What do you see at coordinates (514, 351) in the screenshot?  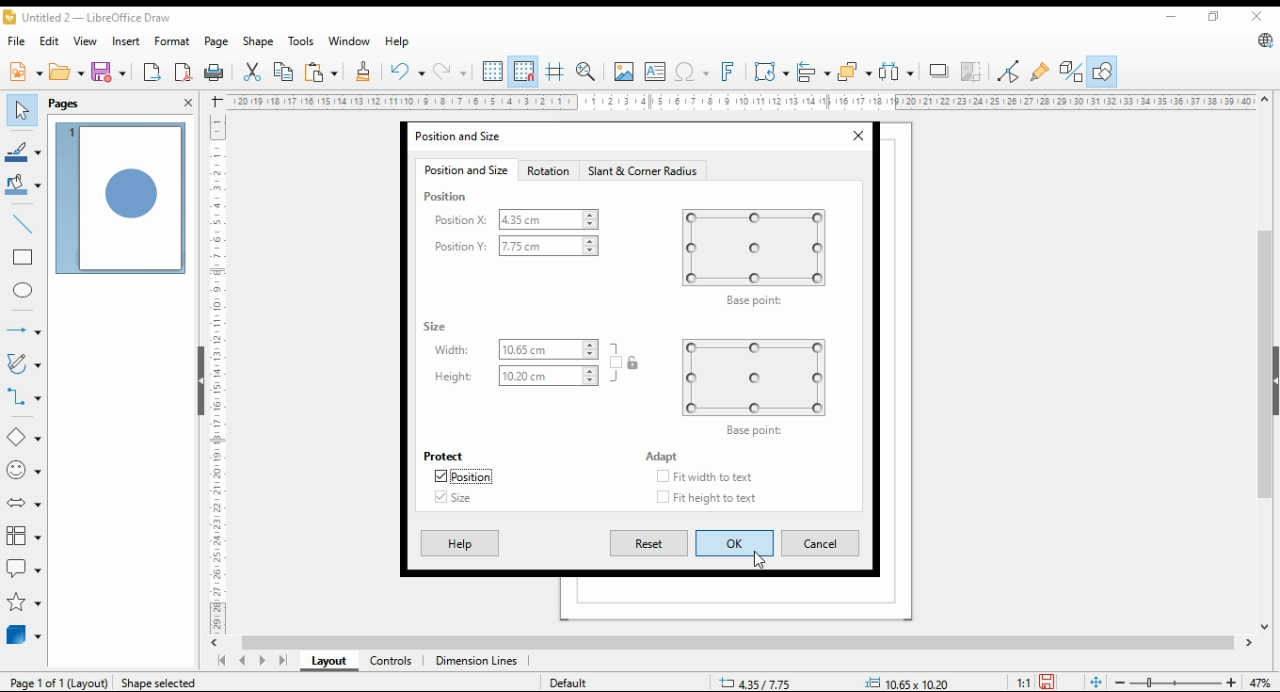 I see `width: 10.65cm` at bounding box center [514, 351].